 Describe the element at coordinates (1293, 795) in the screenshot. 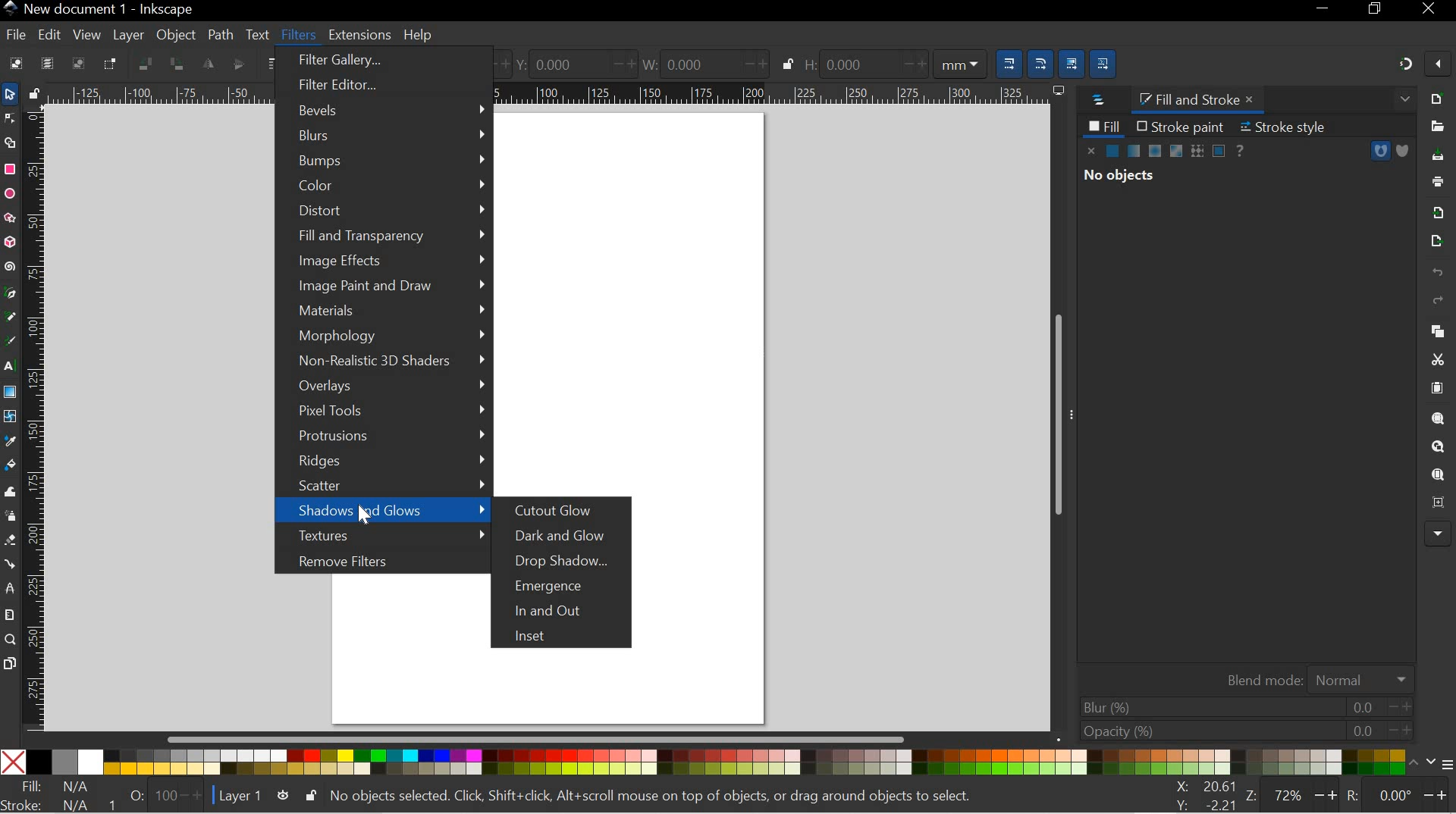

I see `ZOOM OUT OR ZOOM IN` at that location.